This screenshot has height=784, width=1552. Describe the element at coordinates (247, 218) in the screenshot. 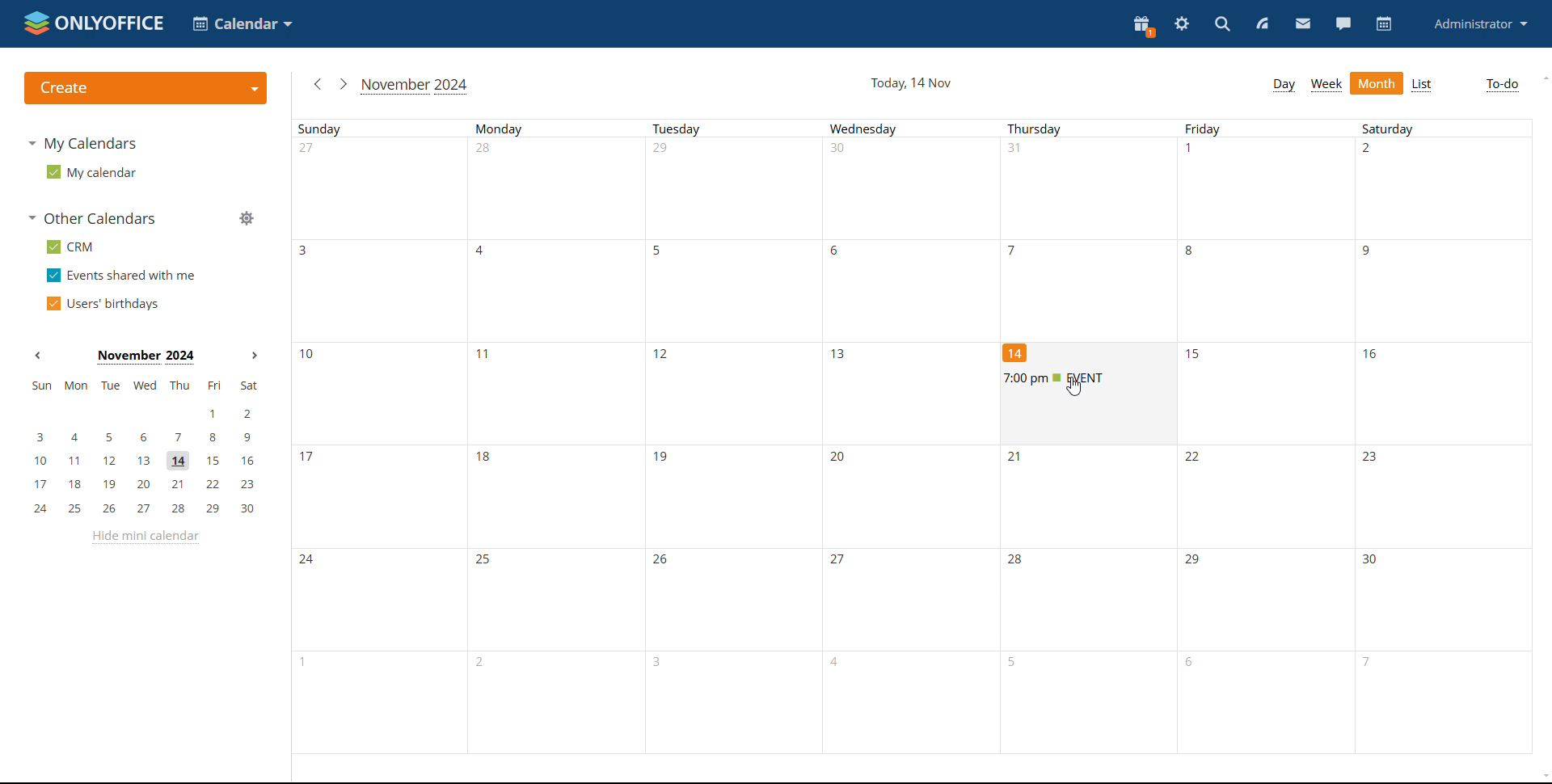

I see `manage` at that location.